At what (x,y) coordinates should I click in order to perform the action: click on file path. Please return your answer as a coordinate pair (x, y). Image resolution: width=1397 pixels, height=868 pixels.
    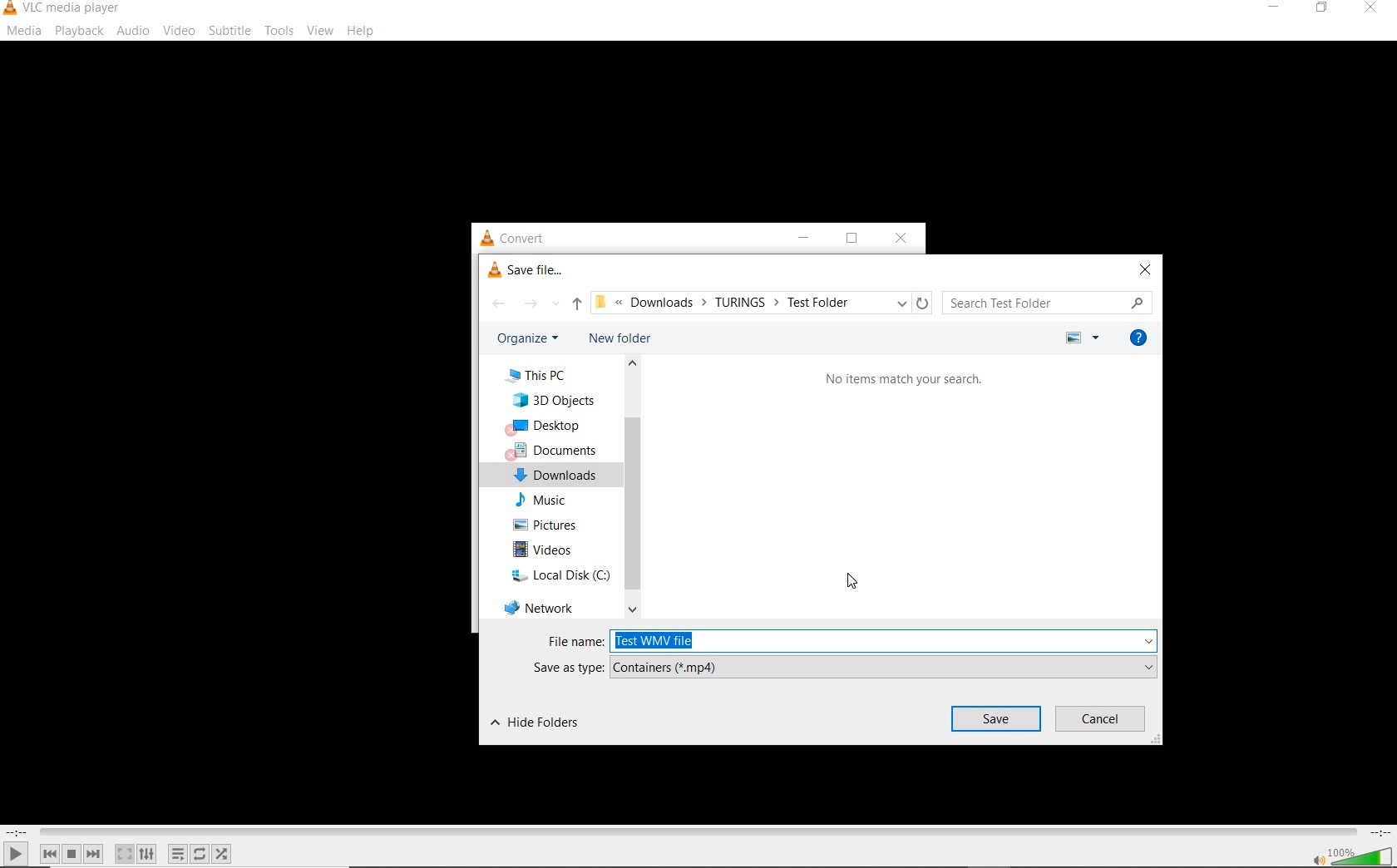
    Looking at the image, I should click on (738, 303).